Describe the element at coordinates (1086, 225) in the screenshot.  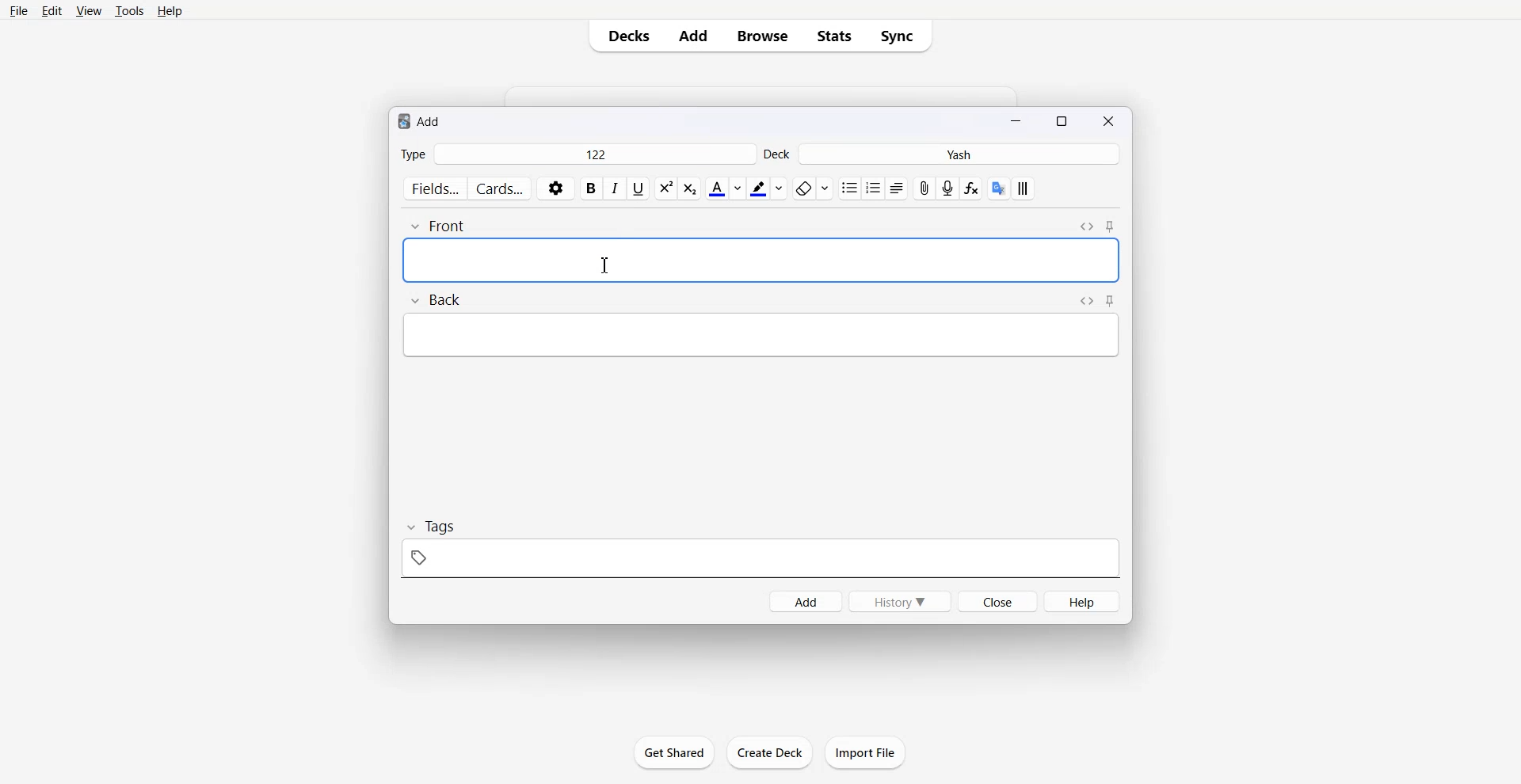
I see `Toggle HTML Editor` at that location.